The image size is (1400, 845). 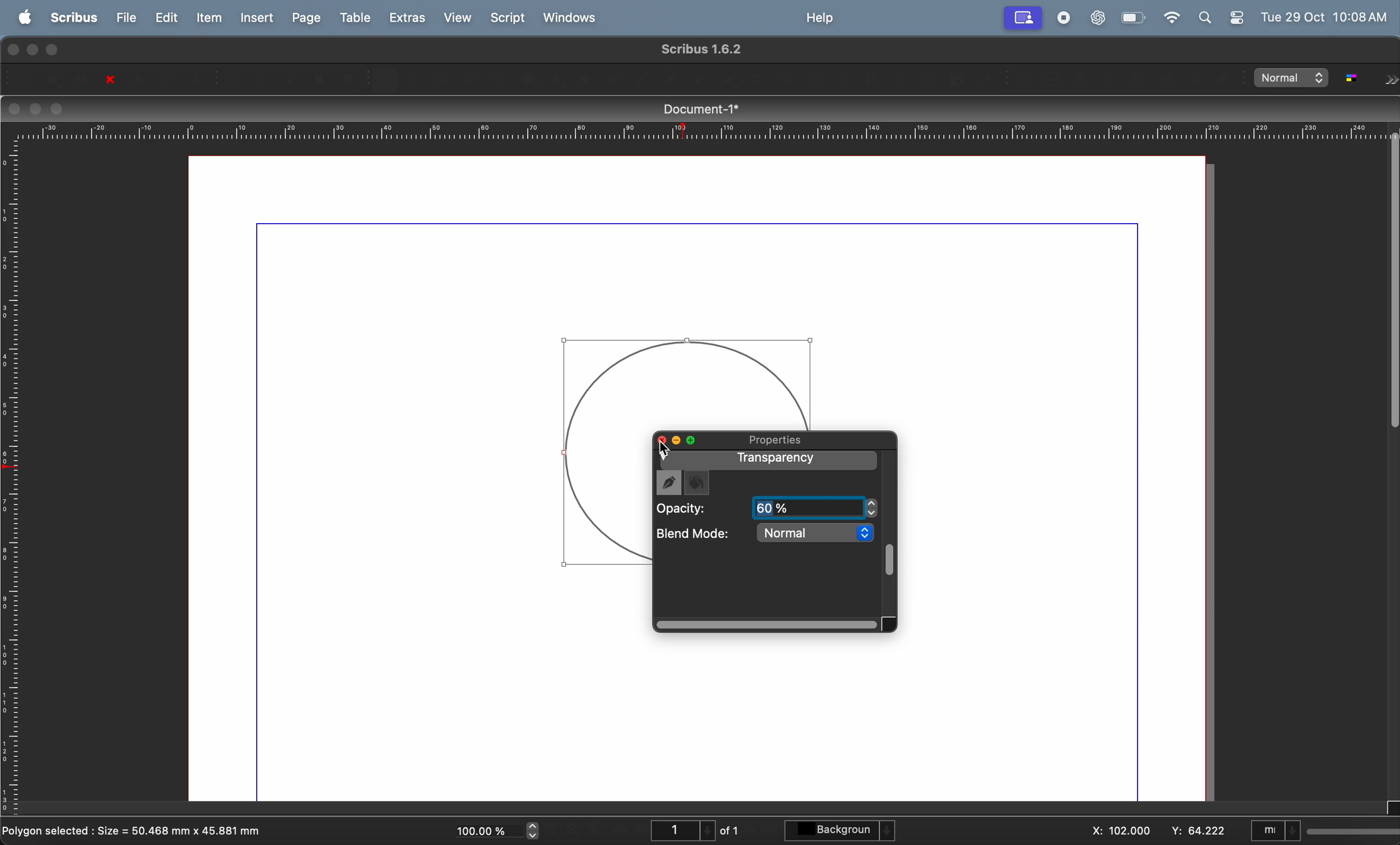 What do you see at coordinates (699, 49) in the screenshot?
I see `scribble version` at bounding box center [699, 49].